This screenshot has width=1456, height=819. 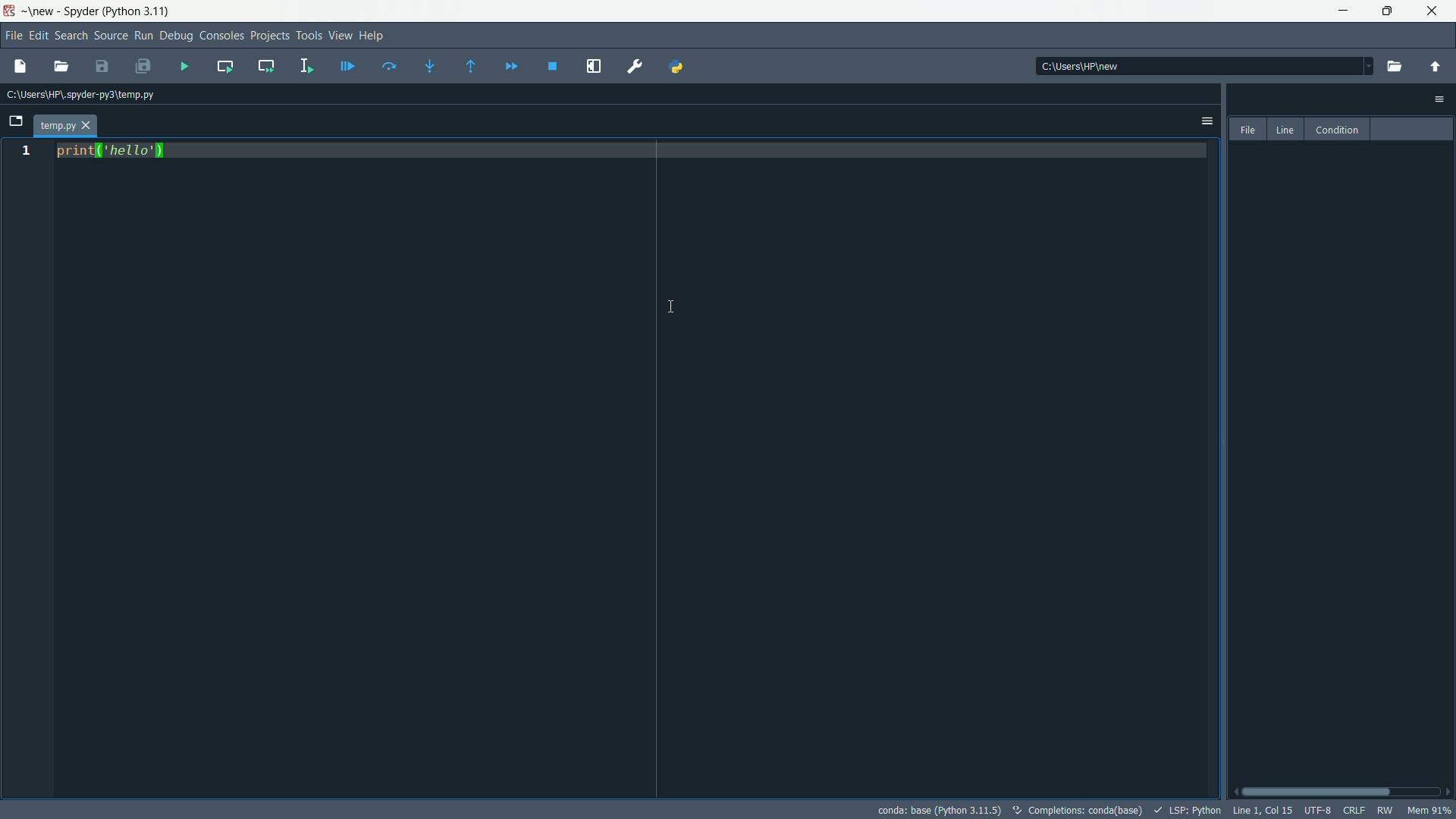 I want to click on help menu, so click(x=375, y=35).